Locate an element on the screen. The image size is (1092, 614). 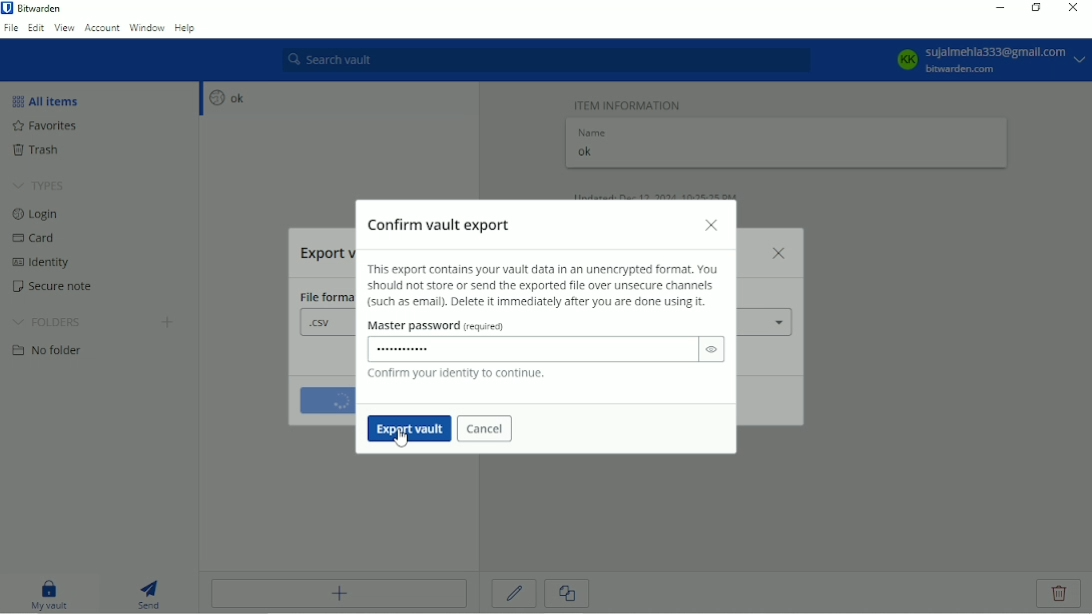
Account is located at coordinates (102, 27).